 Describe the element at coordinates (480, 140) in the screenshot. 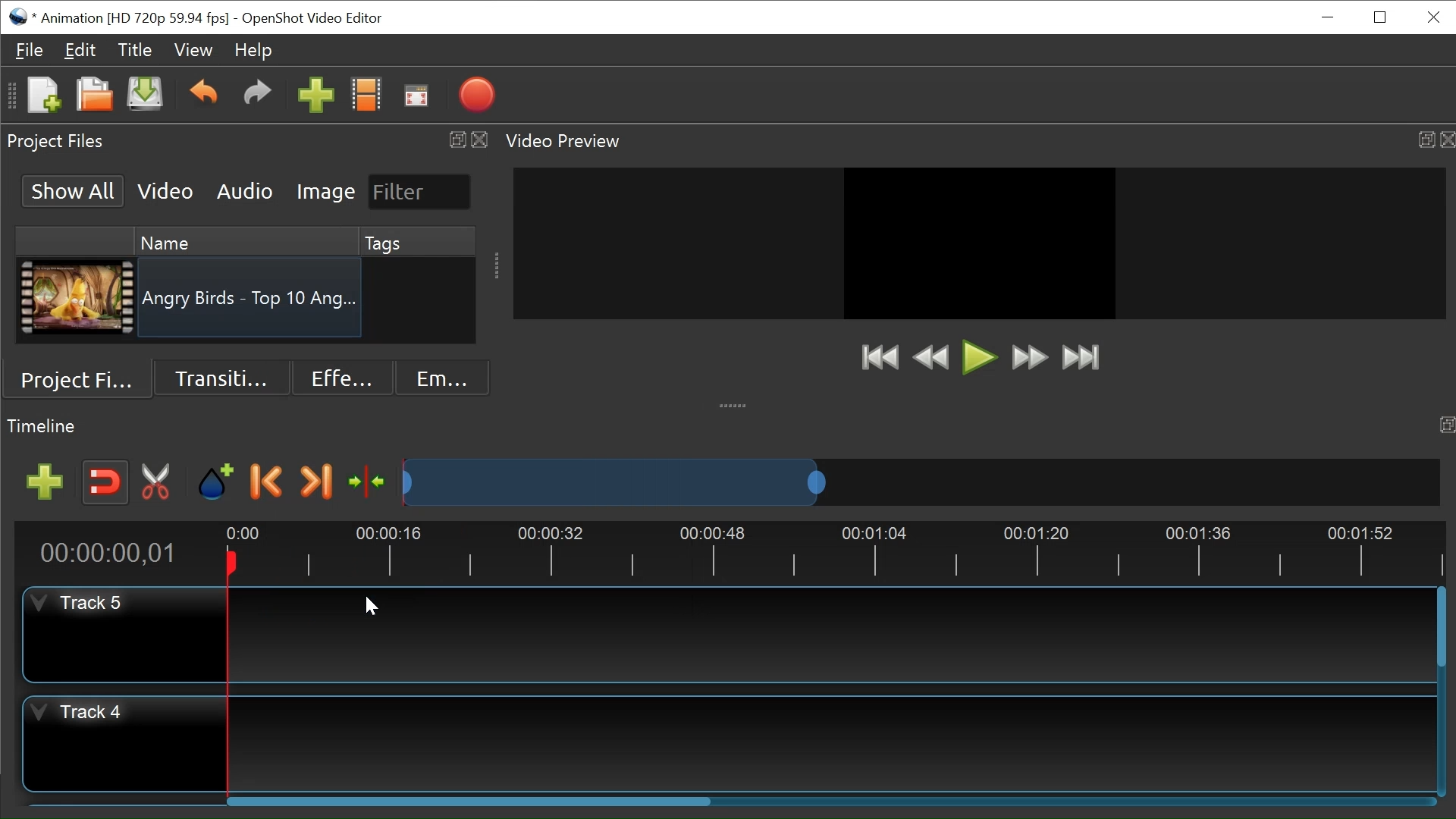

I see `Close` at that location.